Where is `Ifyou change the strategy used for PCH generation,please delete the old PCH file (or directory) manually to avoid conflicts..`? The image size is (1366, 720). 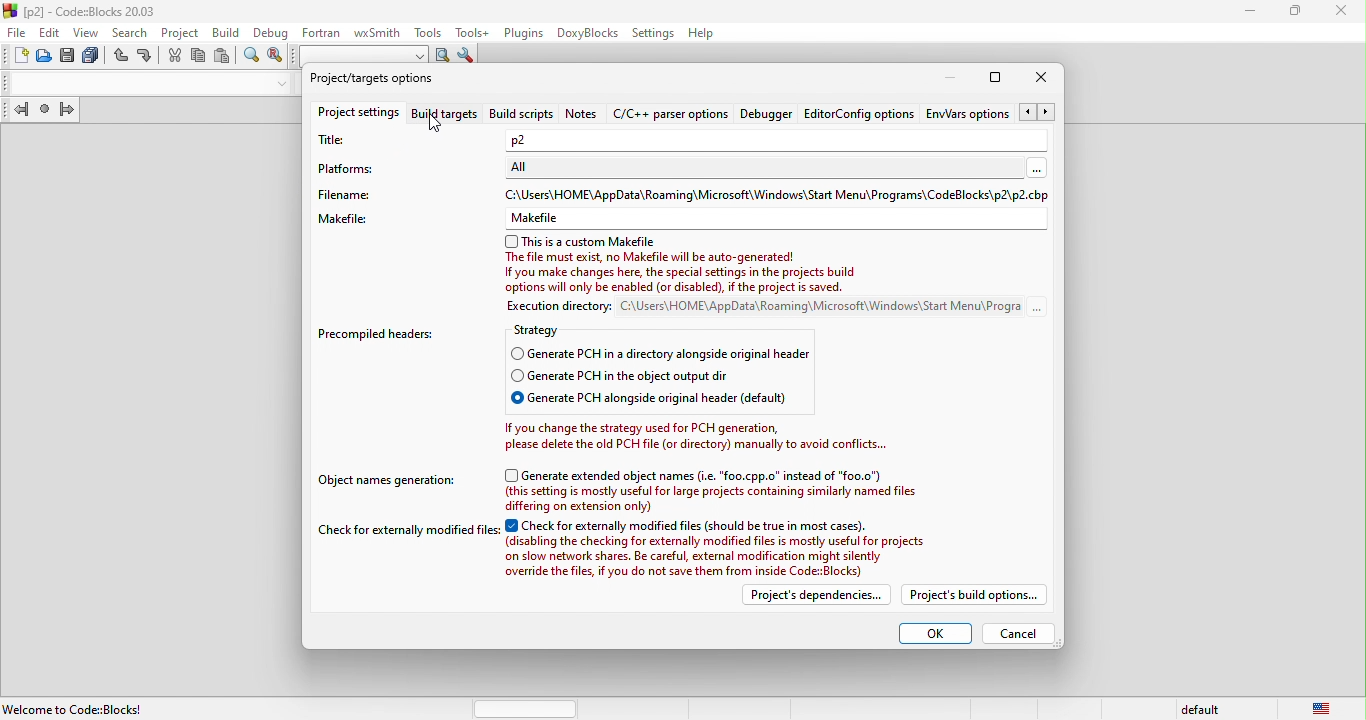 Ifyou change the strategy used for PCH generation,please delete the old PCH file (or directory) manually to avoid conflicts.. is located at coordinates (705, 437).